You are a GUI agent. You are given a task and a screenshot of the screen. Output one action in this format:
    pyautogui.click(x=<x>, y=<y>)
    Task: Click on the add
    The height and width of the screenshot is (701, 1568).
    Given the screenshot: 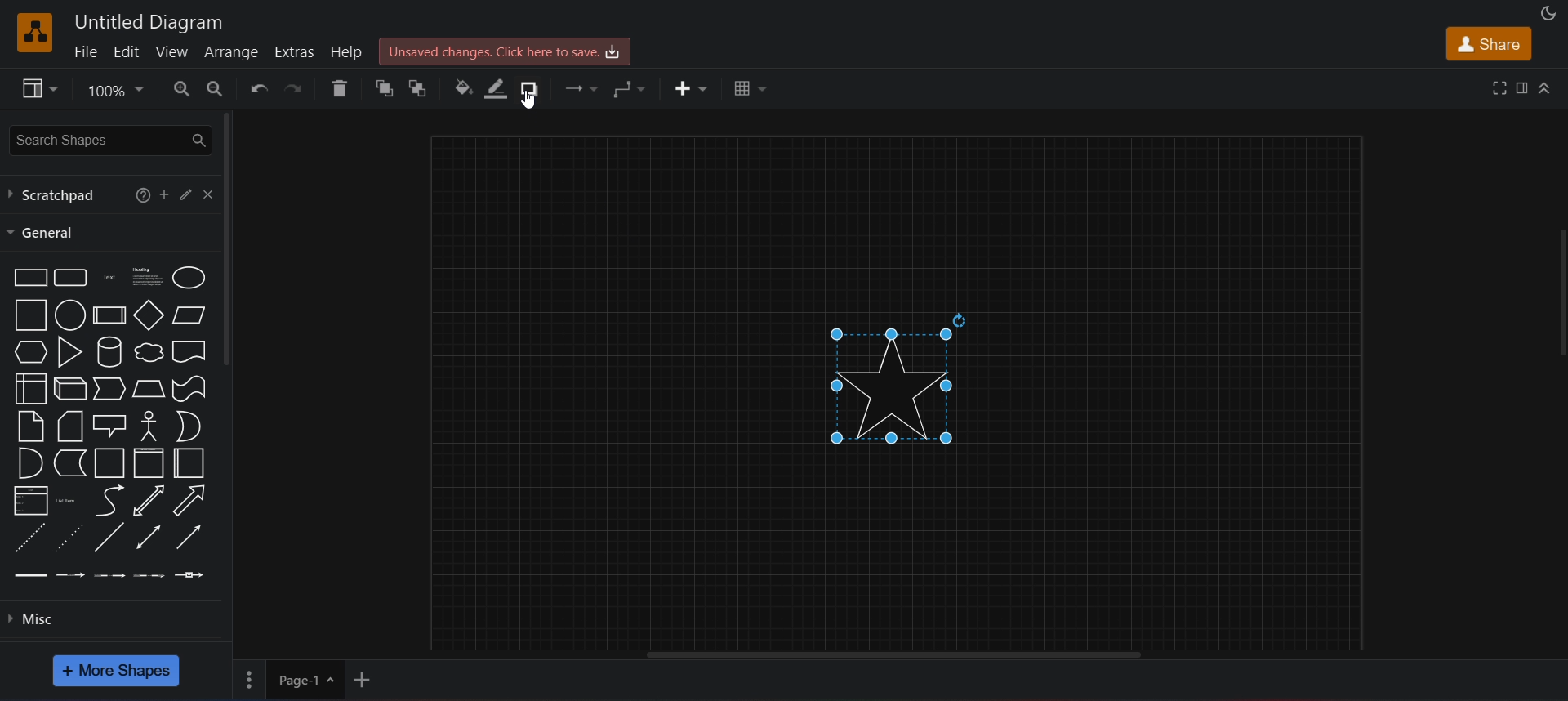 What is the action you would take?
    pyautogui.click(x=164, y=194)
    